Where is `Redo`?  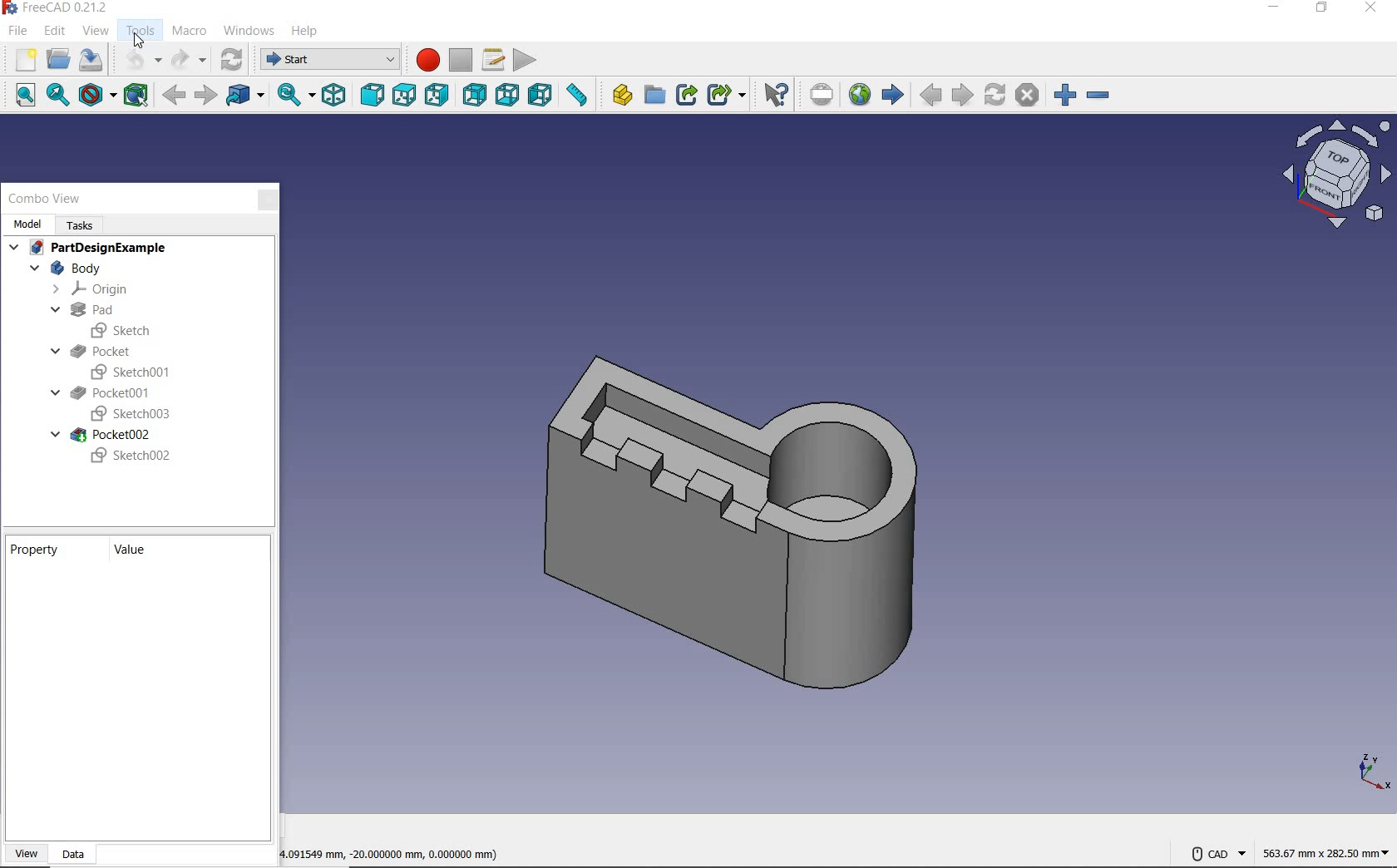 Redo is located at coordinates (188, 60).